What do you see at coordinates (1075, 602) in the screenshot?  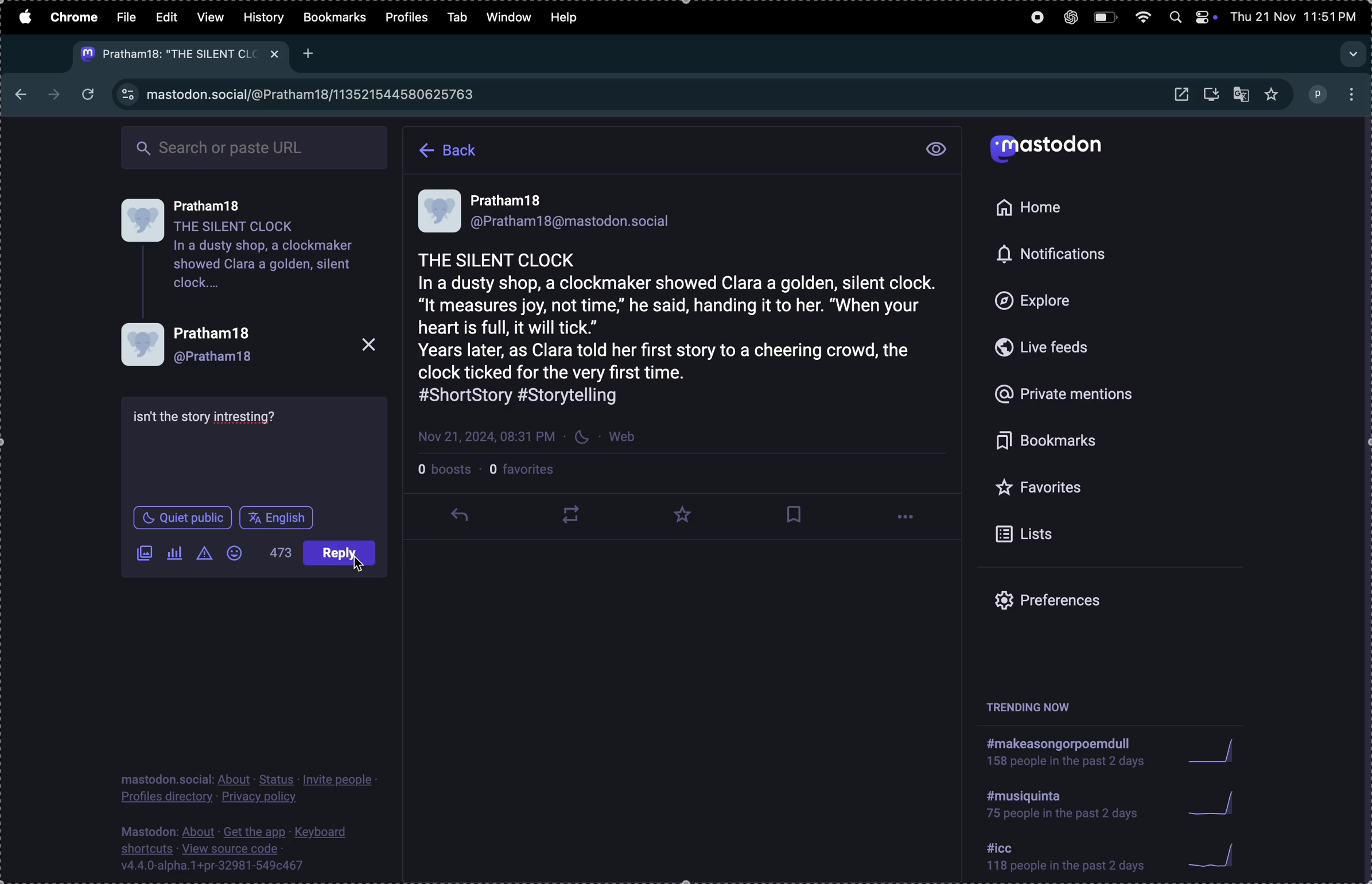 I see `prefrences` at bounding box center [1075, 602].